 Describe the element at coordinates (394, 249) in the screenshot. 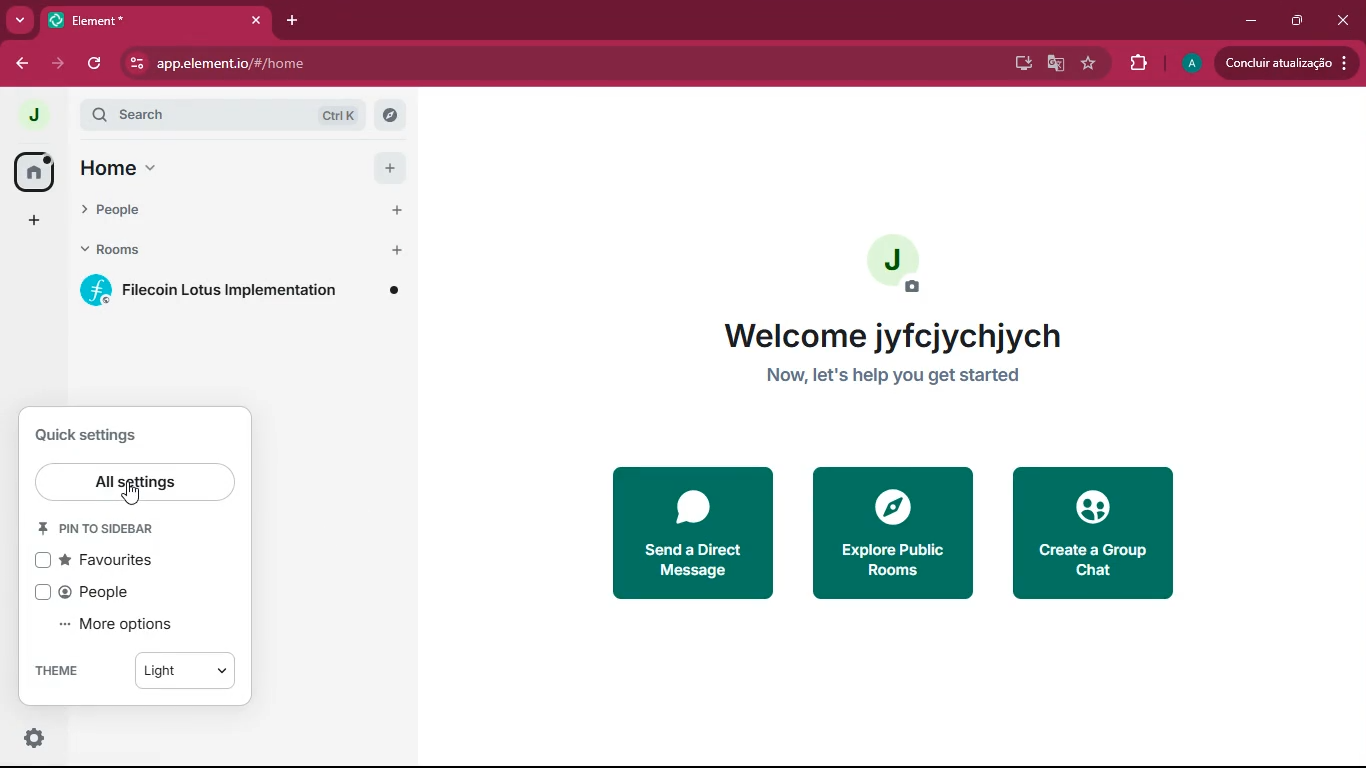

I see `add button` at that location.